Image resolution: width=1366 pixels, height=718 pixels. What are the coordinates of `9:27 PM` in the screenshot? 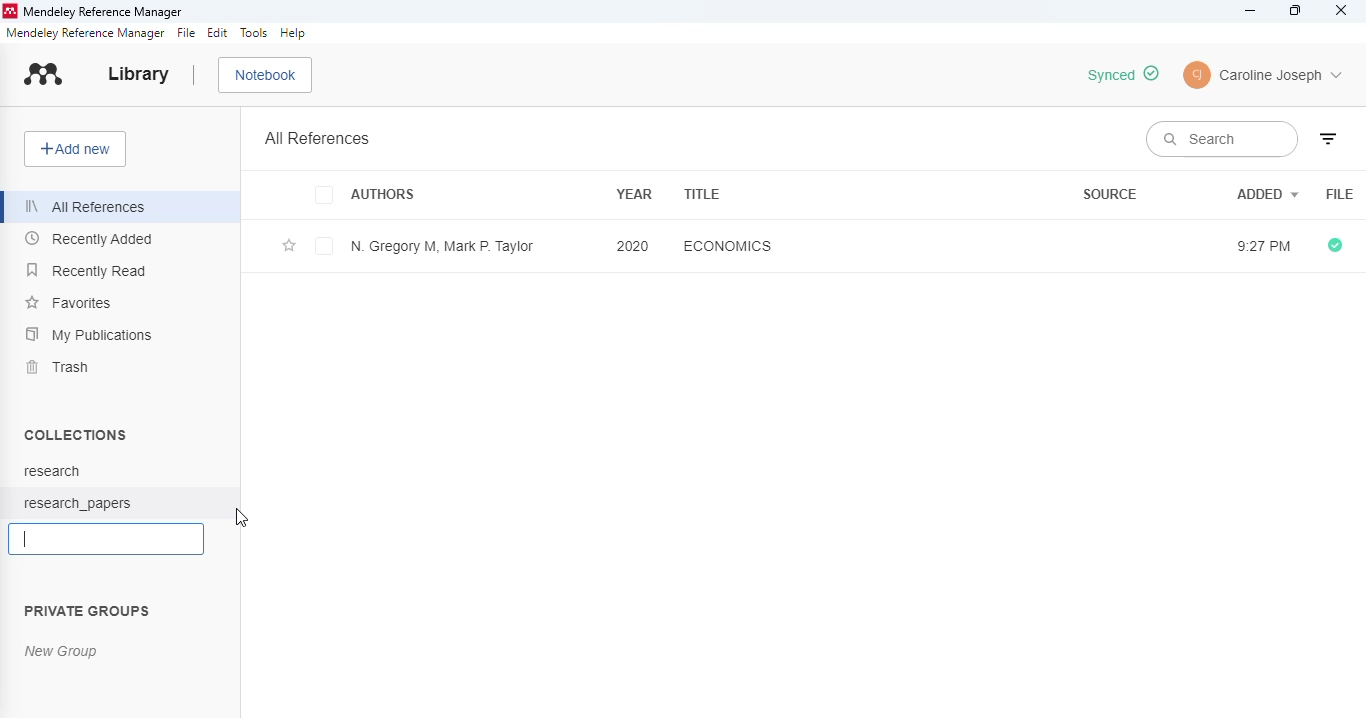 It's located at (1260, 247).